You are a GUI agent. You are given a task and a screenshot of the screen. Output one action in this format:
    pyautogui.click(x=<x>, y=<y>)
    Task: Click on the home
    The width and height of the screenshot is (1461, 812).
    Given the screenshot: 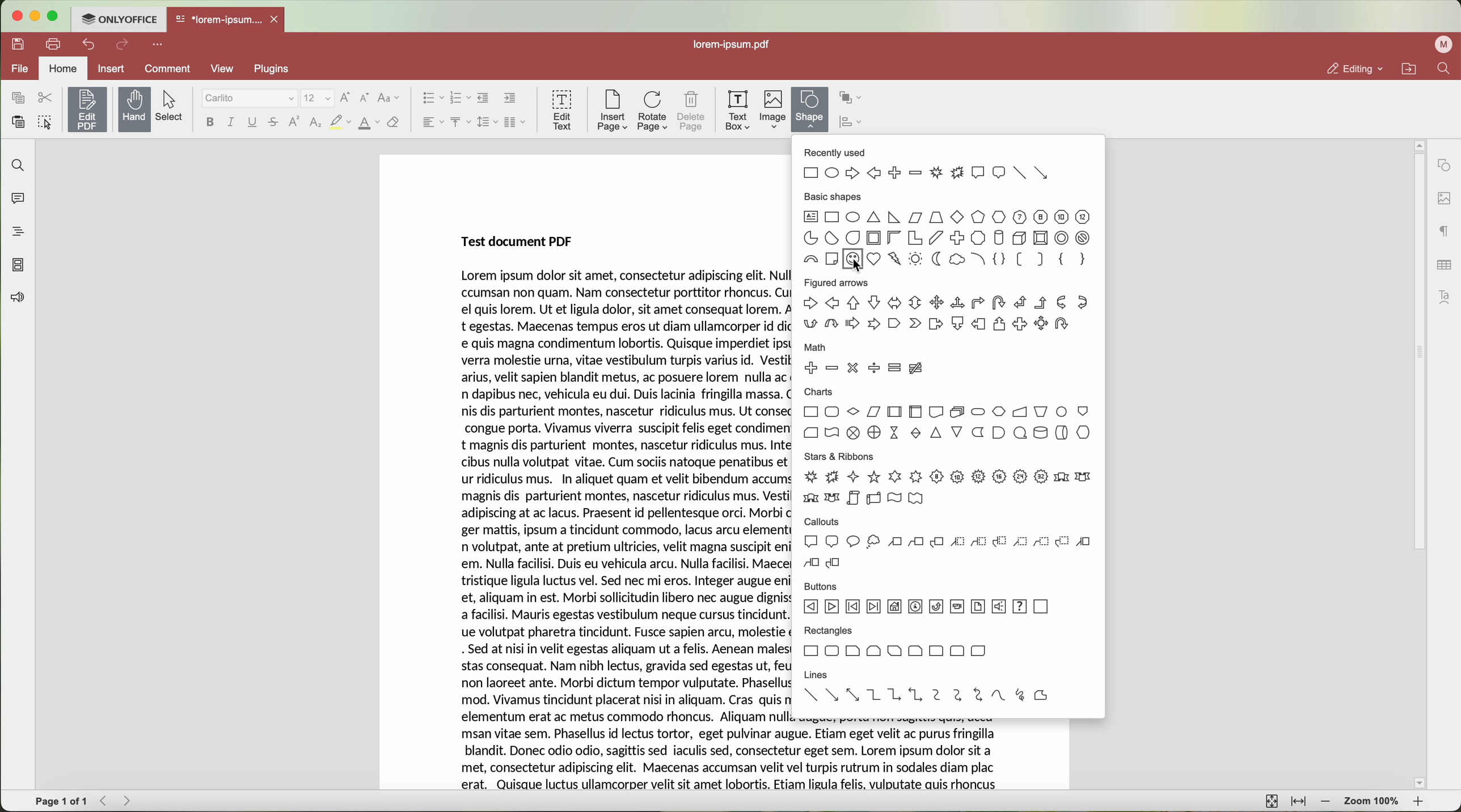 What is the action you would take?
    pyautogui.click(x=65, y=67)
    